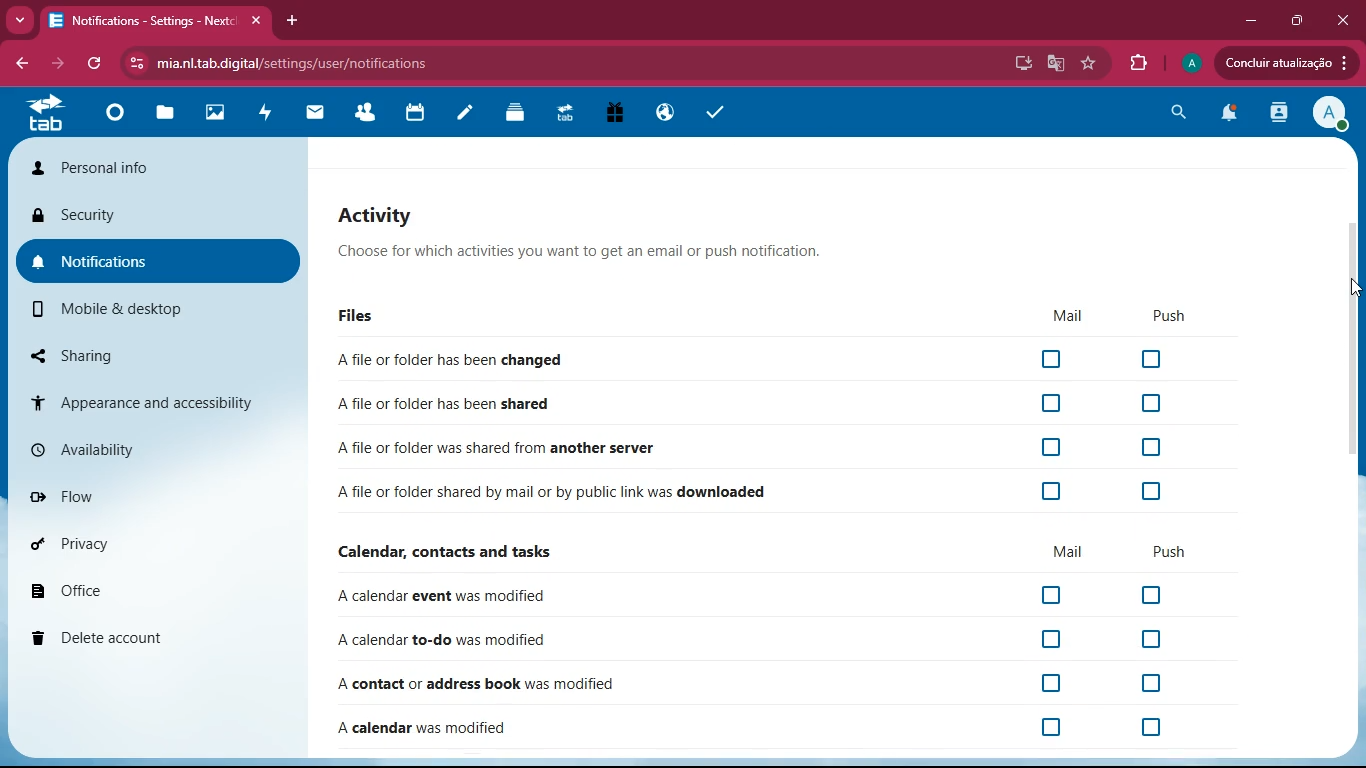 Image resolution: width=1366 pixels, height=768 pixels. Describe the element at coordinates (440, 597) in the screenshot. I see `A calendar event was modified` at that location.